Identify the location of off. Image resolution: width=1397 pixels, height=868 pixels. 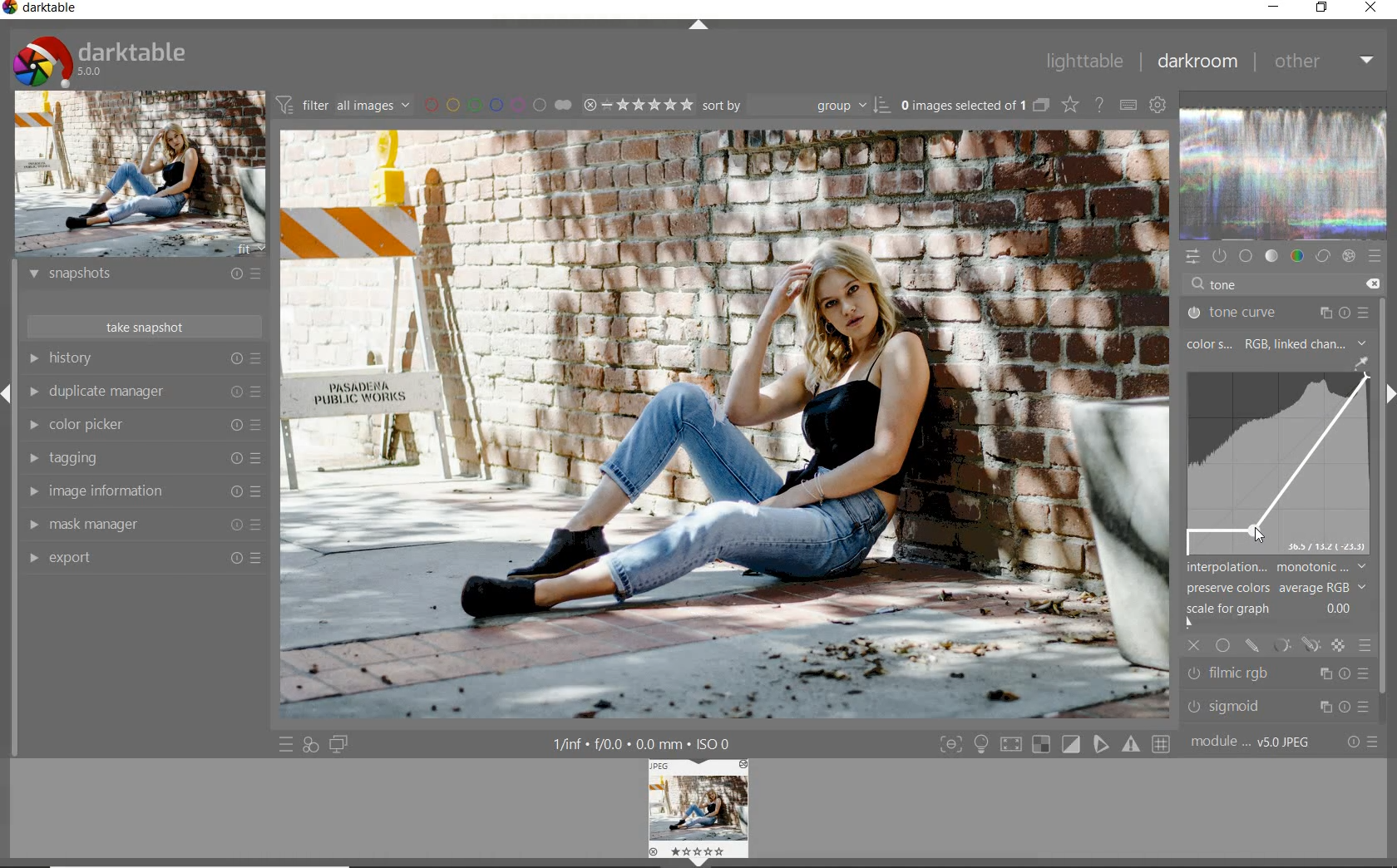
(1196, 645).